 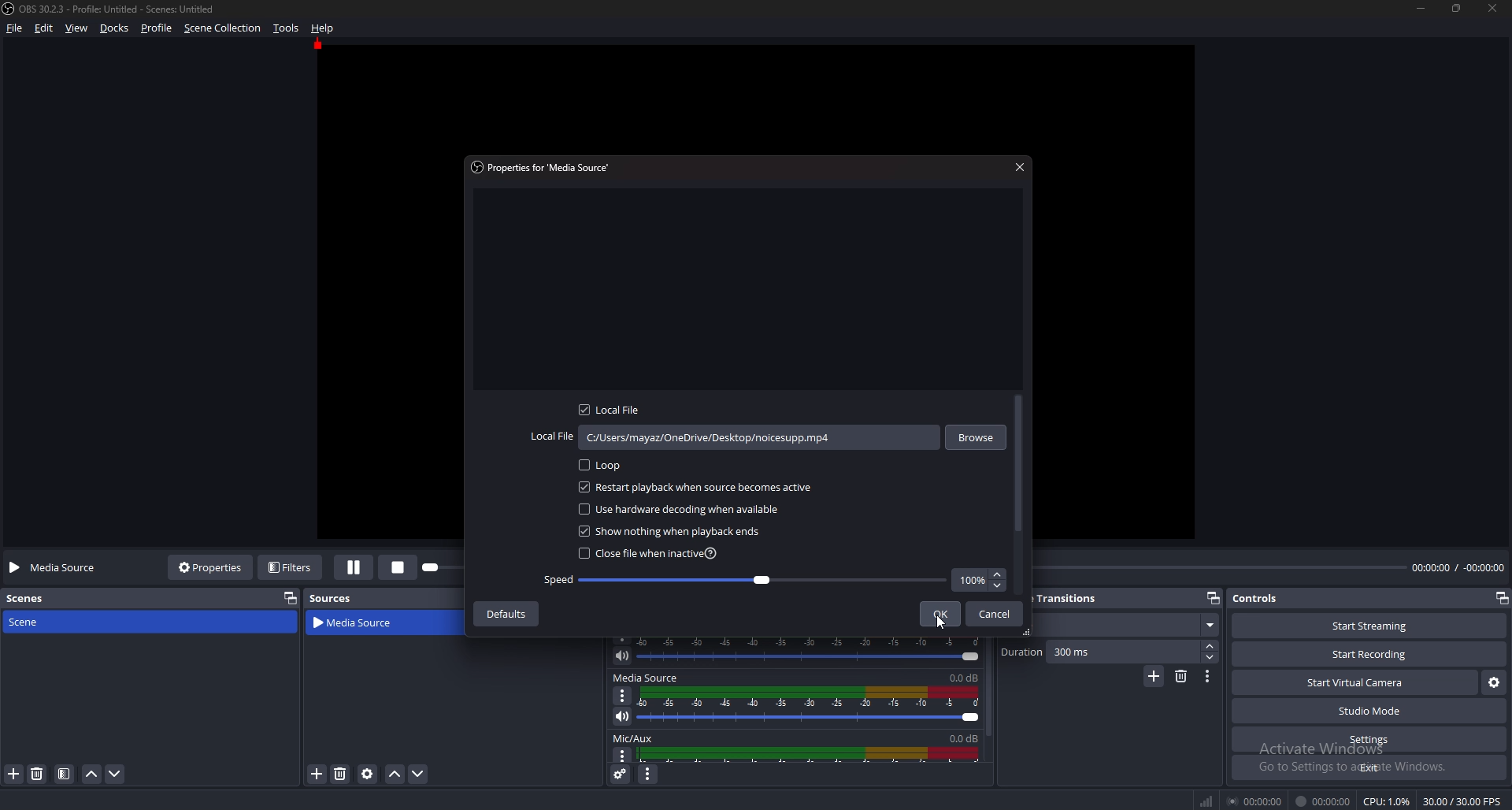 What do you see at coordinates (746, 580) in the screenshot?
I see `Speed` at bounding box center [746, 580].